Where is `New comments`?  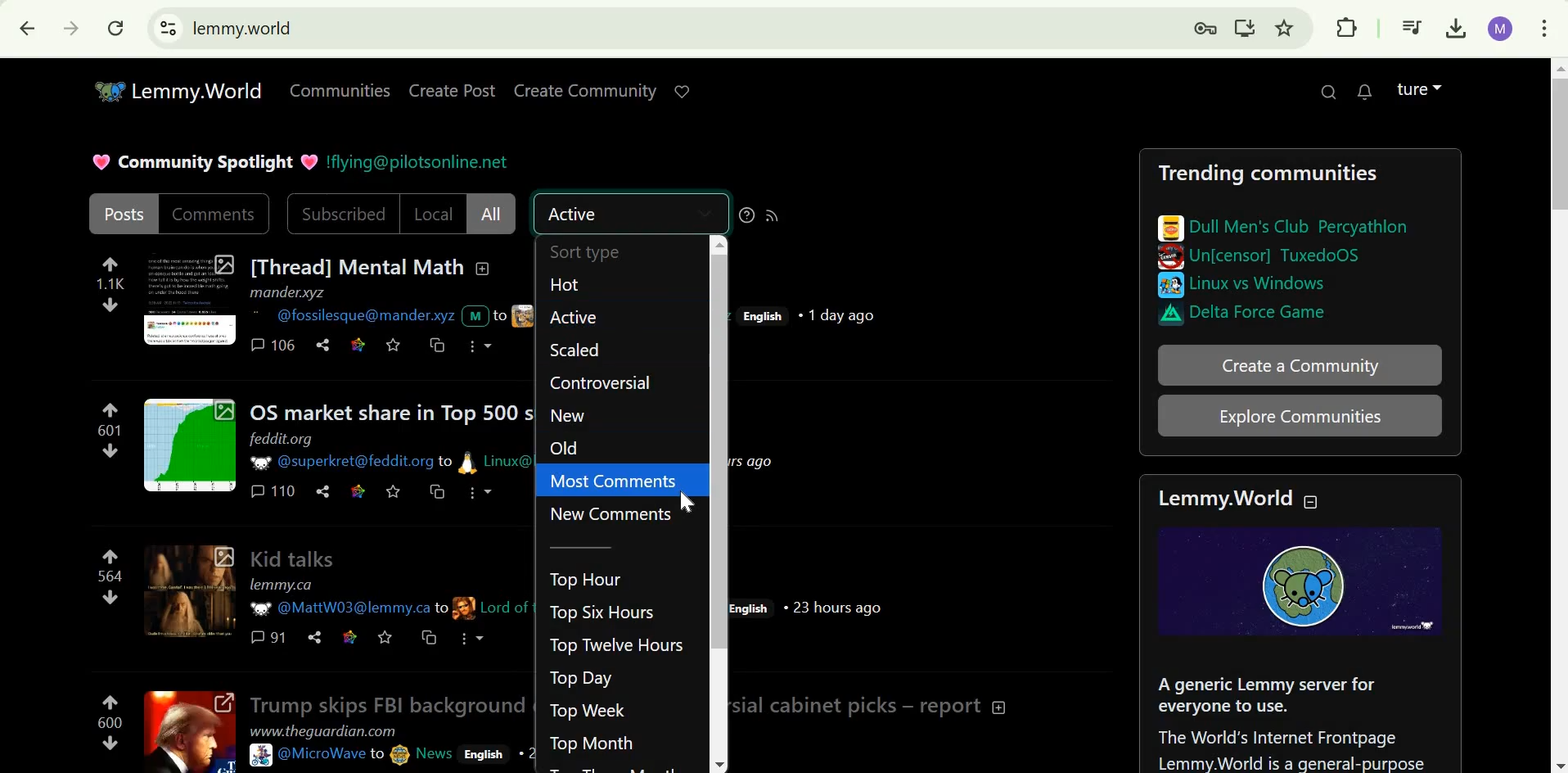
New comments is located at coordinates (611, 516).